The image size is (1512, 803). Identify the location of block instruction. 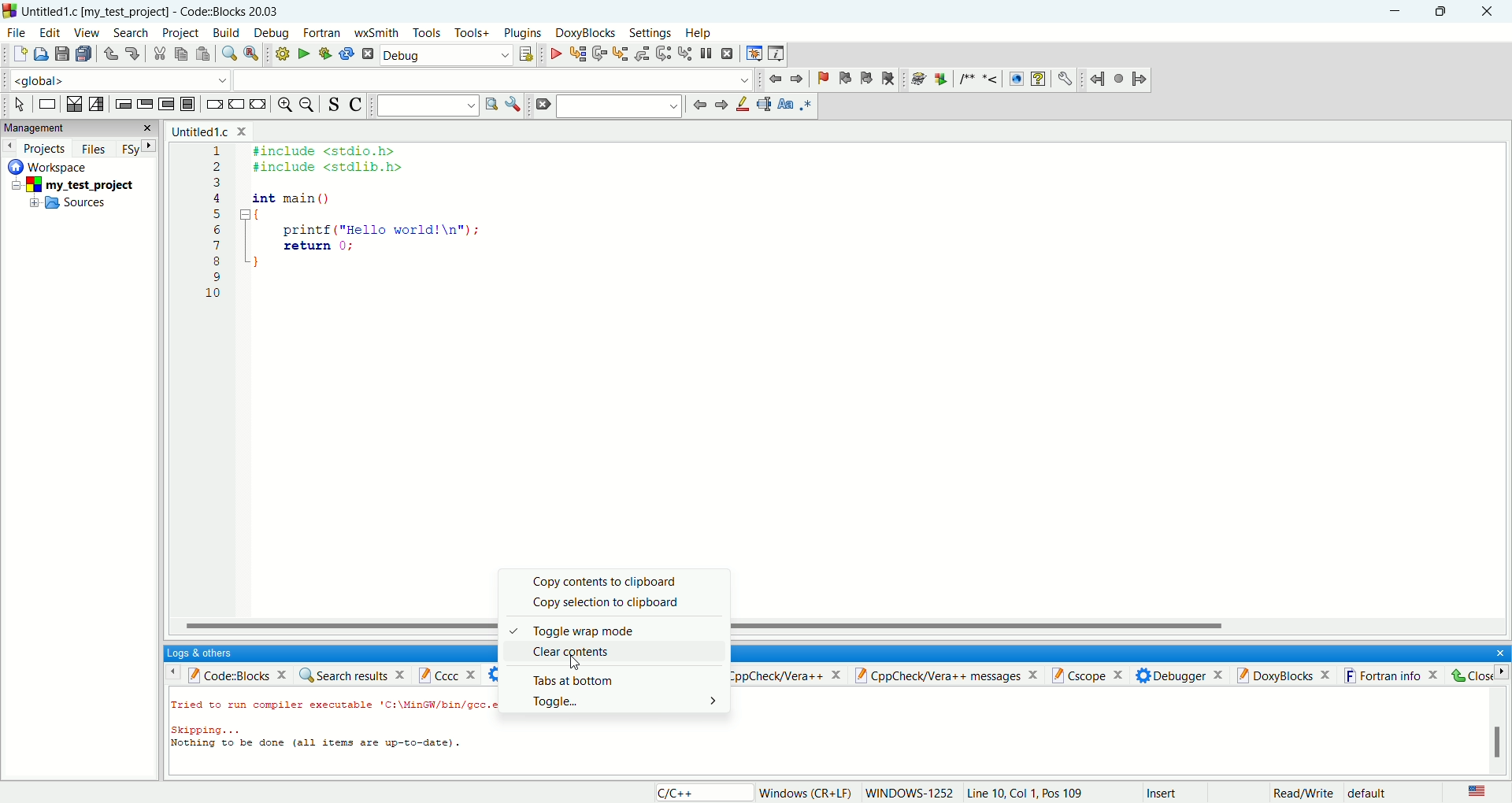
(189, 104).